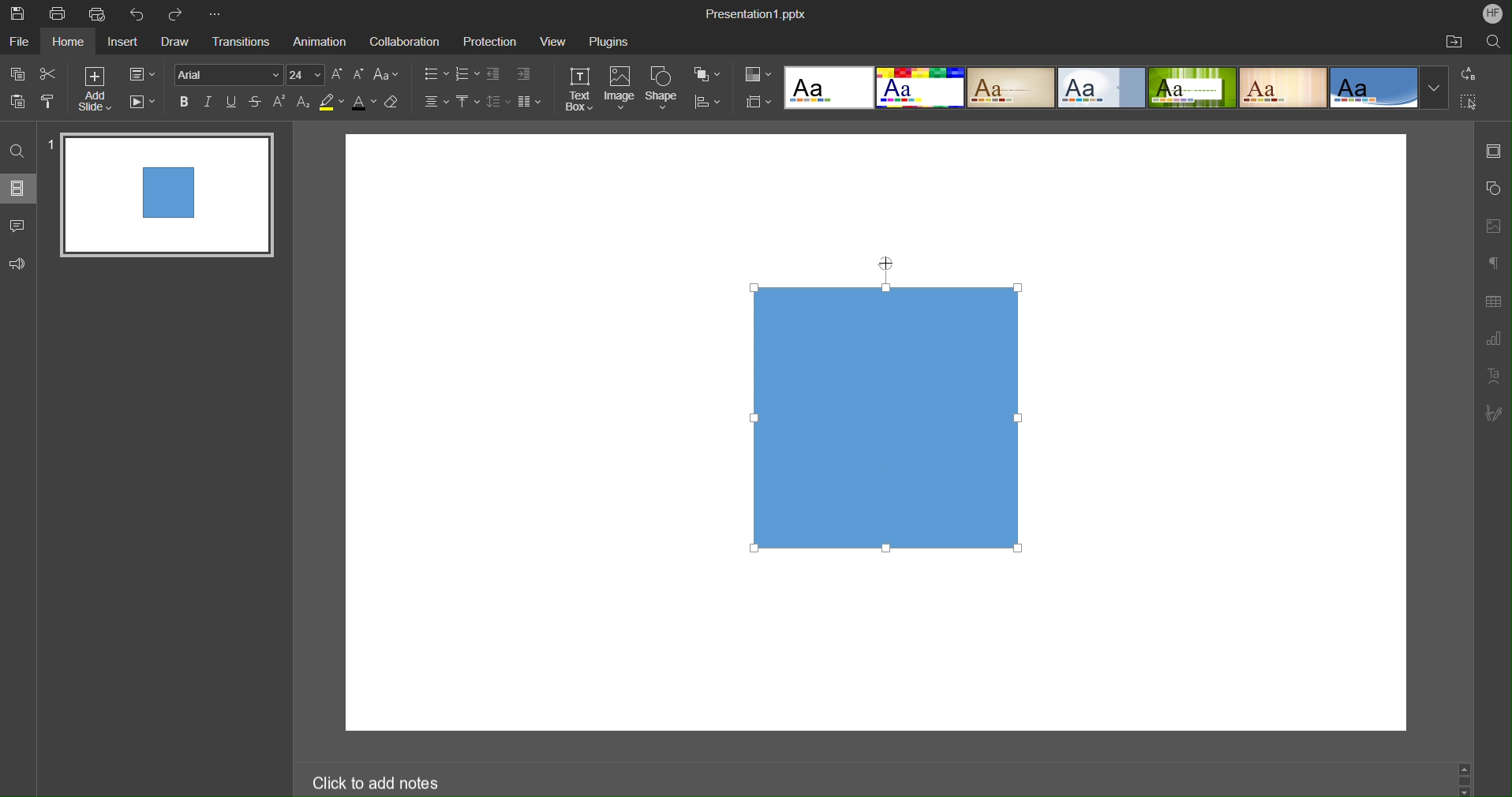 The height and width of the screenshot is (797, 1512). I want to click on Plugins, so click(608, 39).